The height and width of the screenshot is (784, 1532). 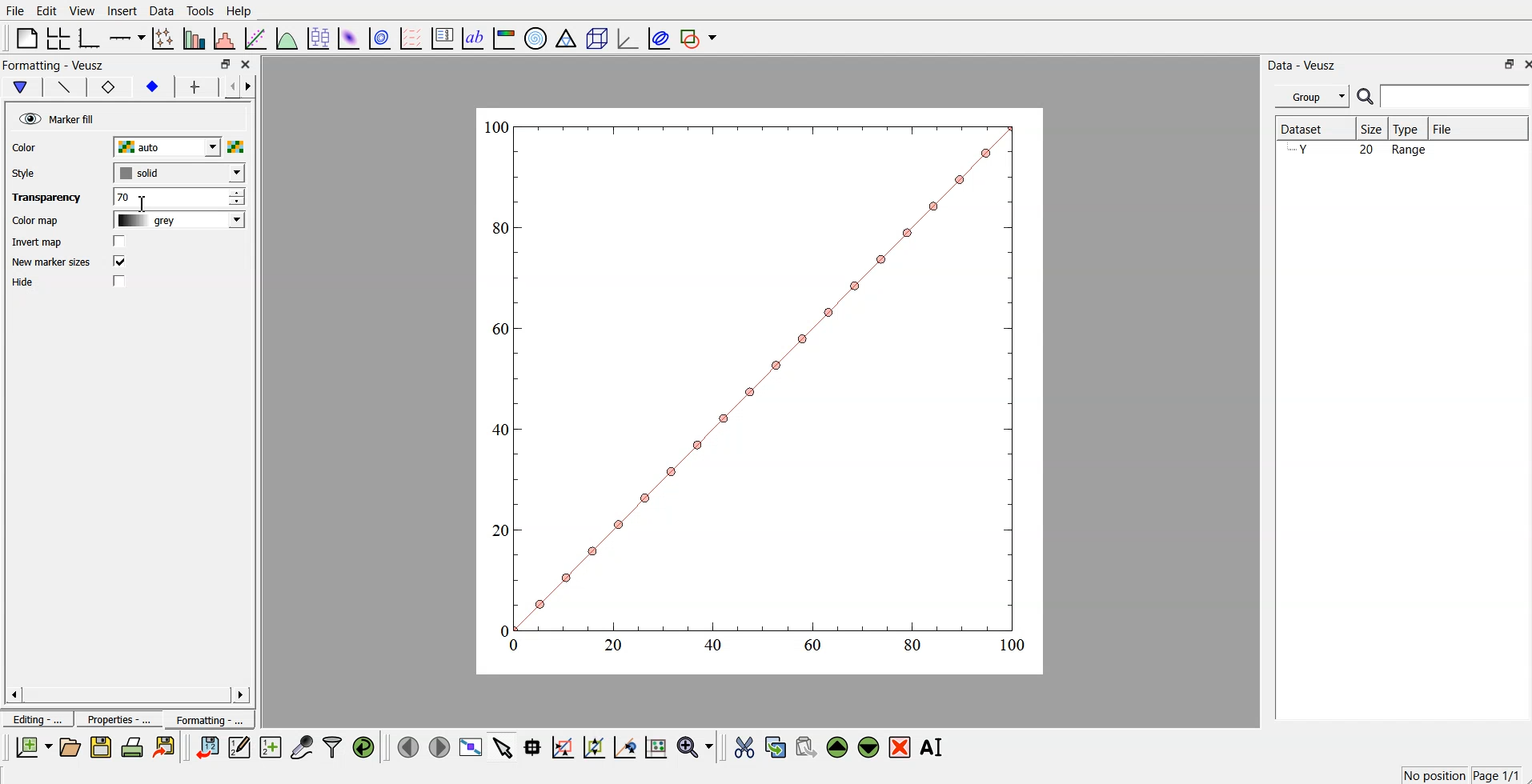 I want to click on add a shape to the plot, so click(x=700, y=38).